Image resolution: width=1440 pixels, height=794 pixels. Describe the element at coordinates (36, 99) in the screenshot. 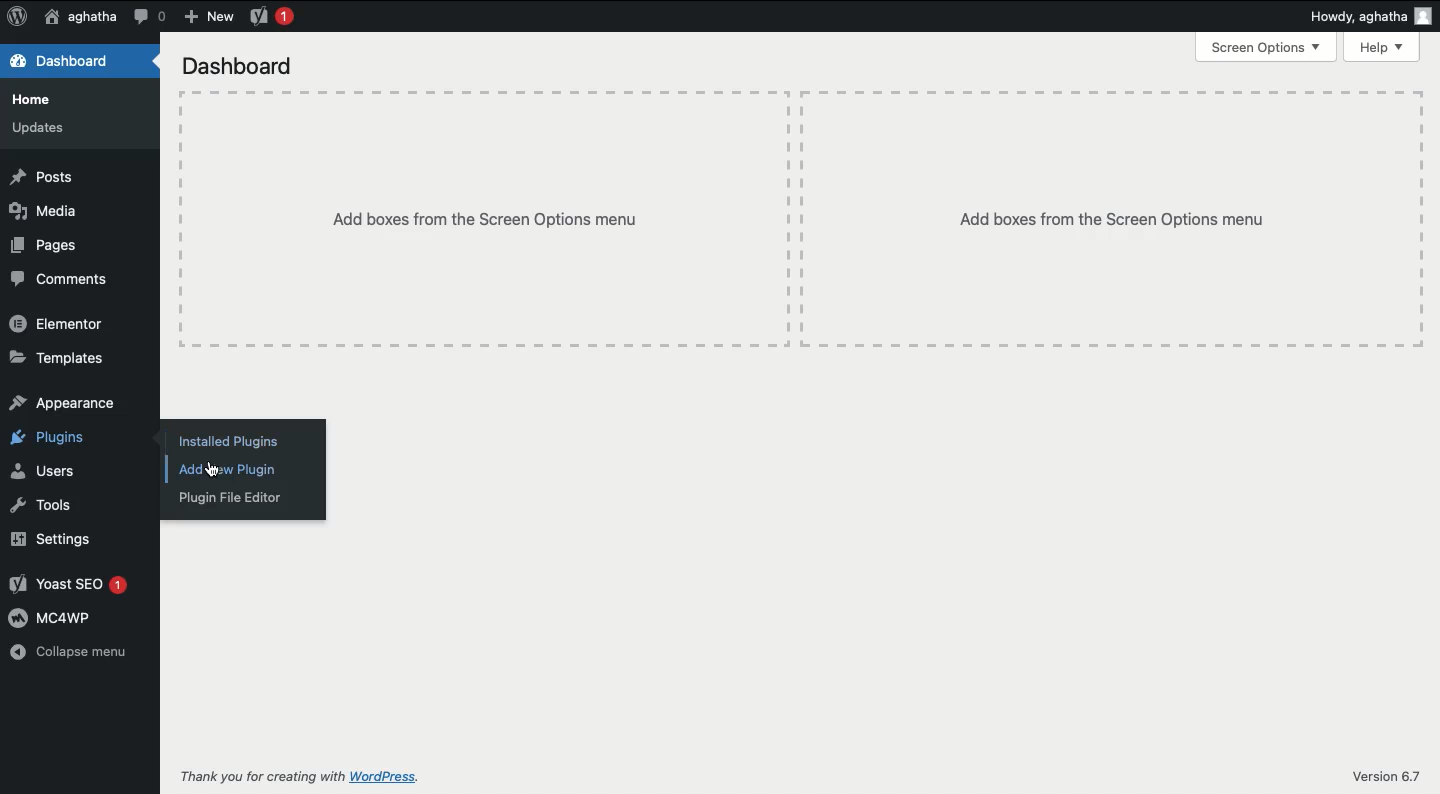

I see `Home` at that location.